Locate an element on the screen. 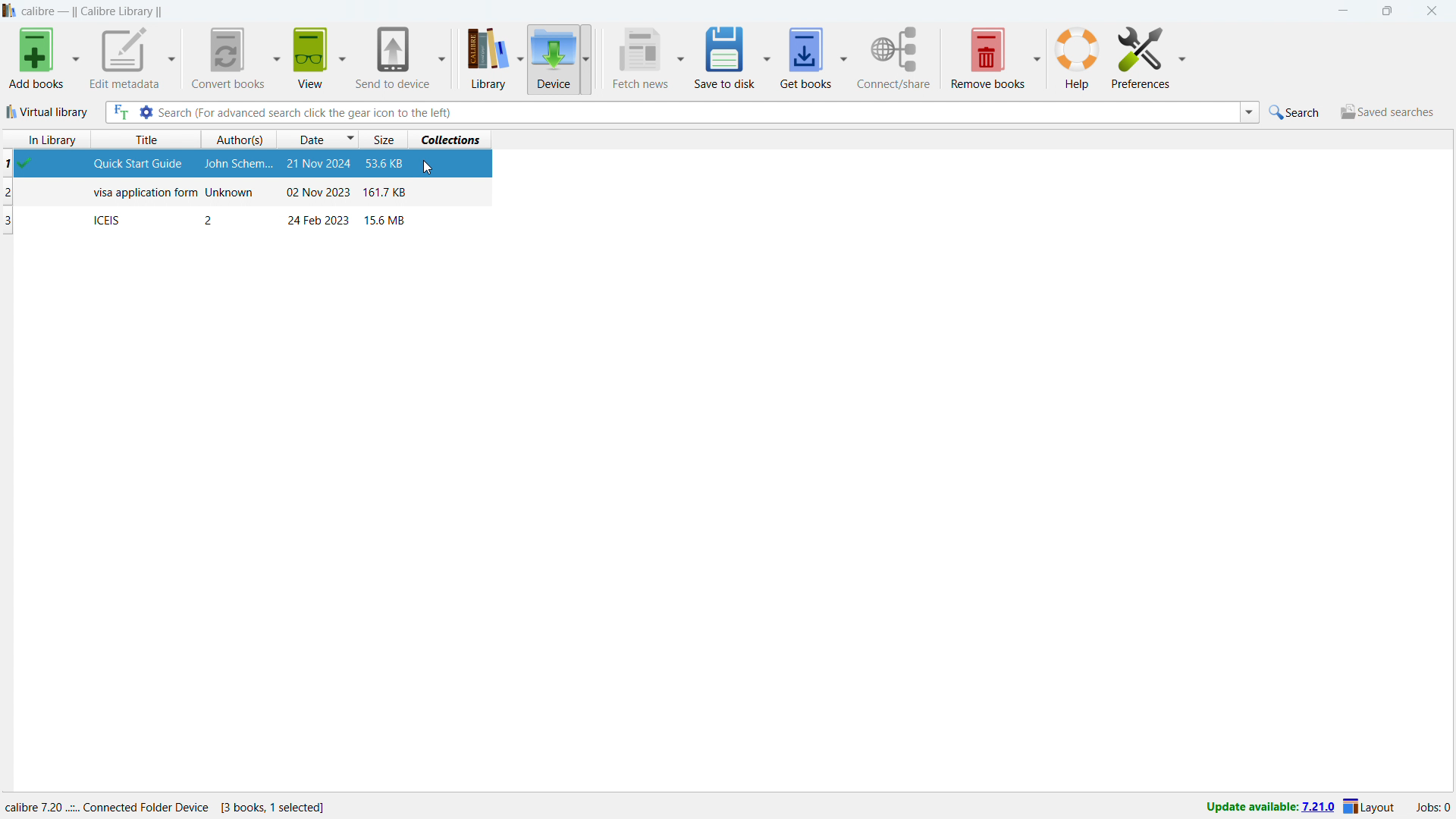 The height and width of the screenshot is (819, 1456). device options is located at coordinates (584, 58).